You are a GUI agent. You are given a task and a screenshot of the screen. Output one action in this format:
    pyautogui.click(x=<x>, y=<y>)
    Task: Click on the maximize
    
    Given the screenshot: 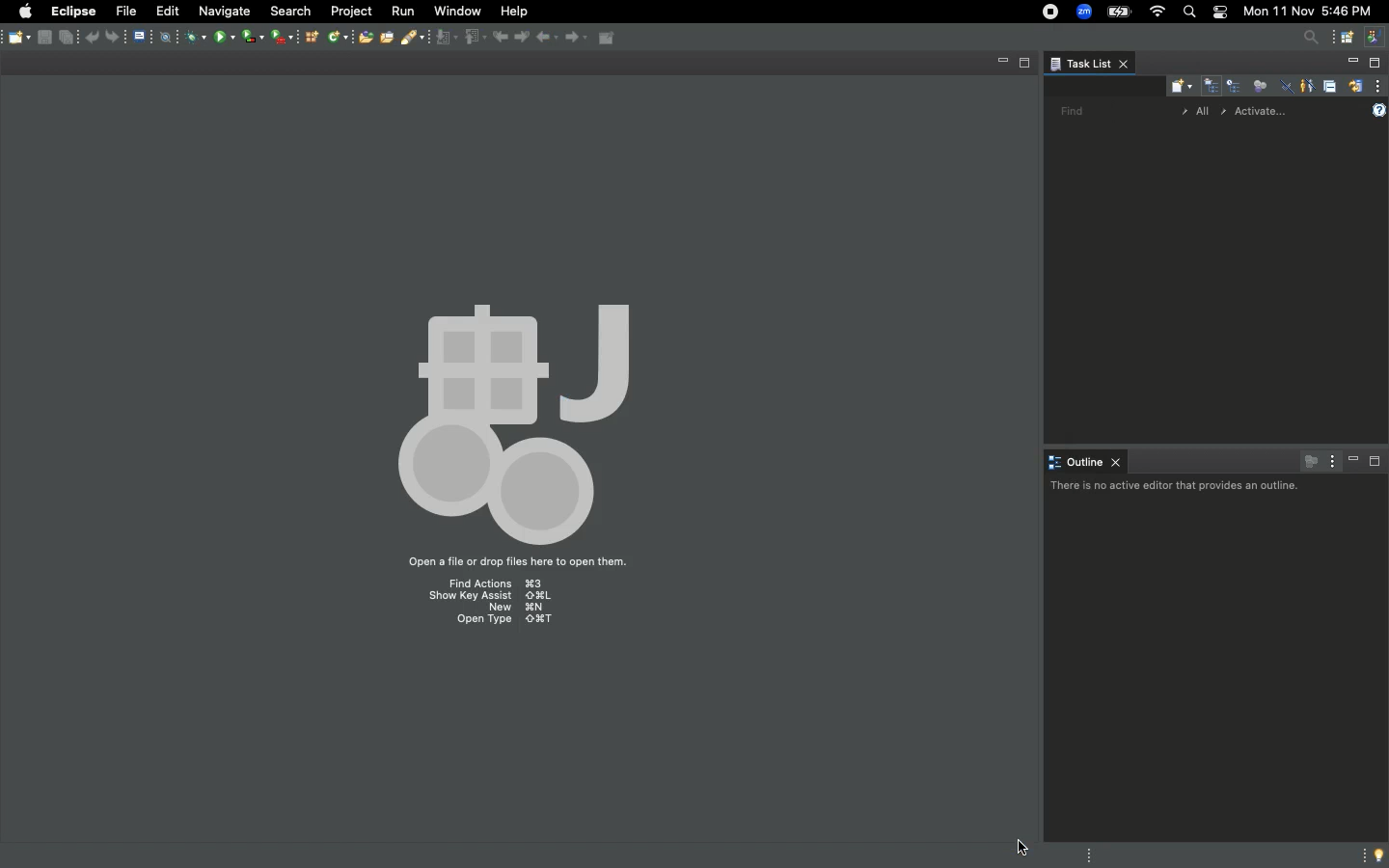 What is the action you would take?
    pyautogui.click(x=429, y=39)
    